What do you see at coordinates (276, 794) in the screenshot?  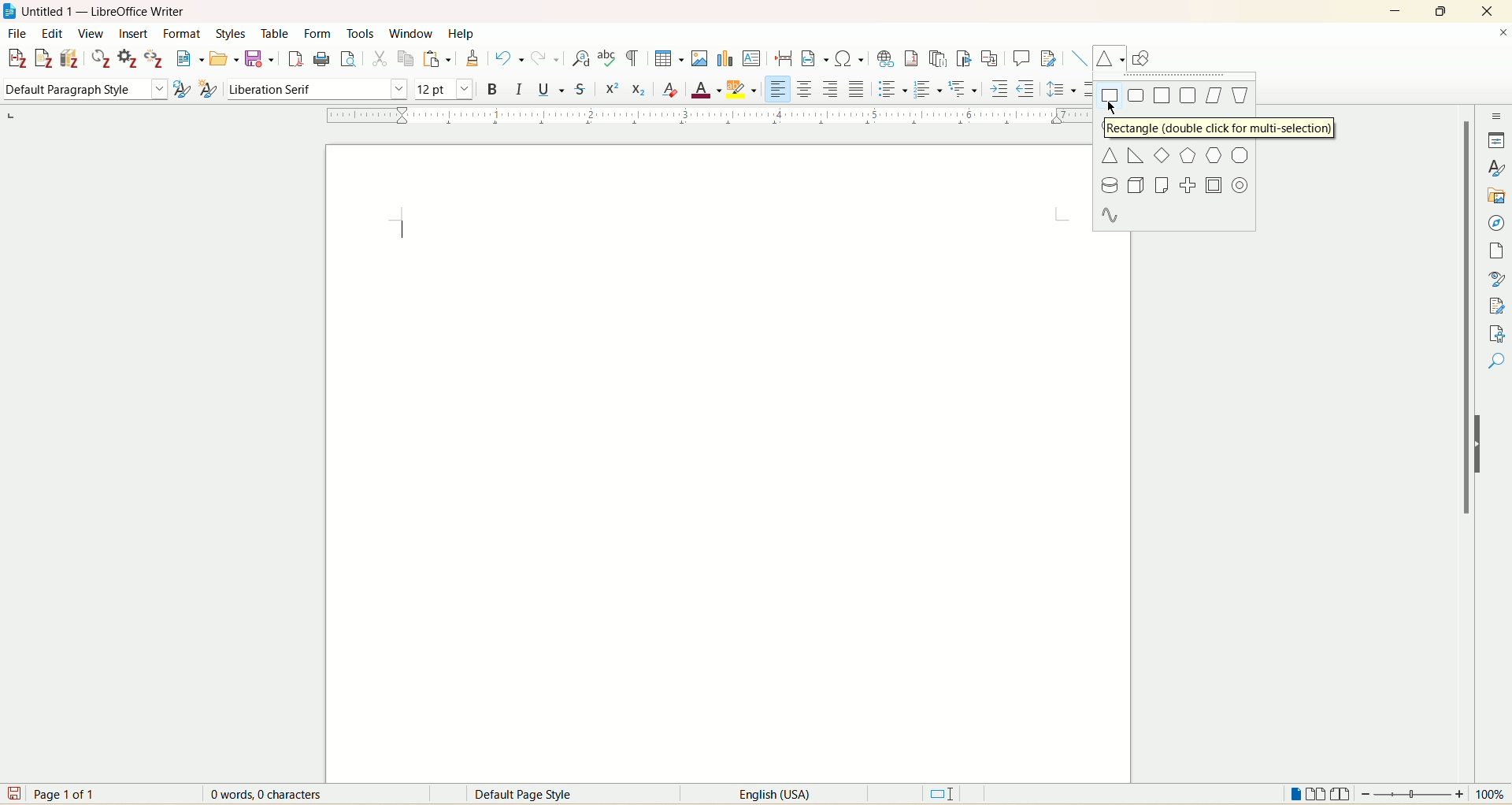 I see `0 words 0 characters` at bounding box center [276, 794].